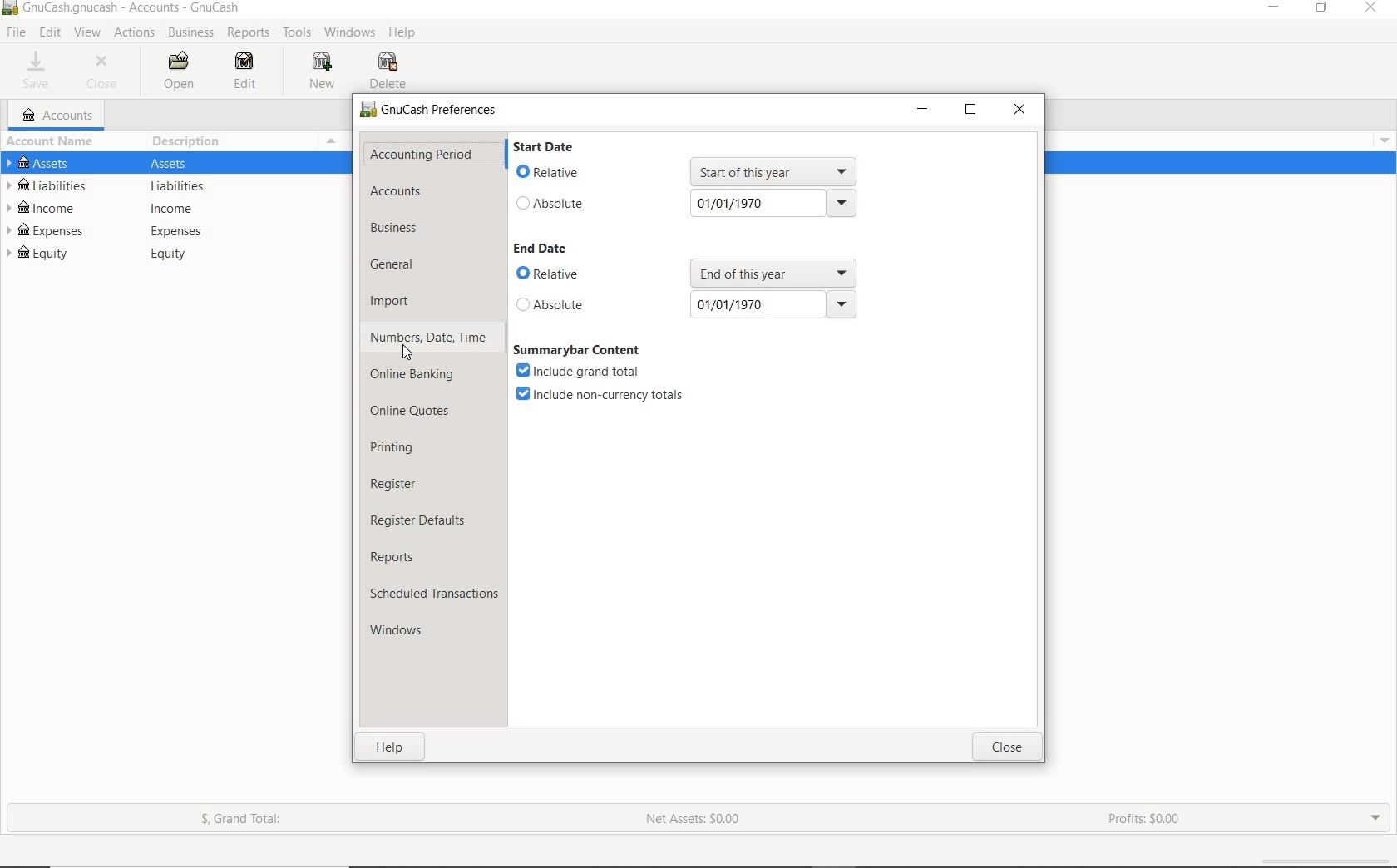 The image size is (1397, 868). Describe the element at coordinates (536, 248) in the screenshot. I see `end date` at that location.